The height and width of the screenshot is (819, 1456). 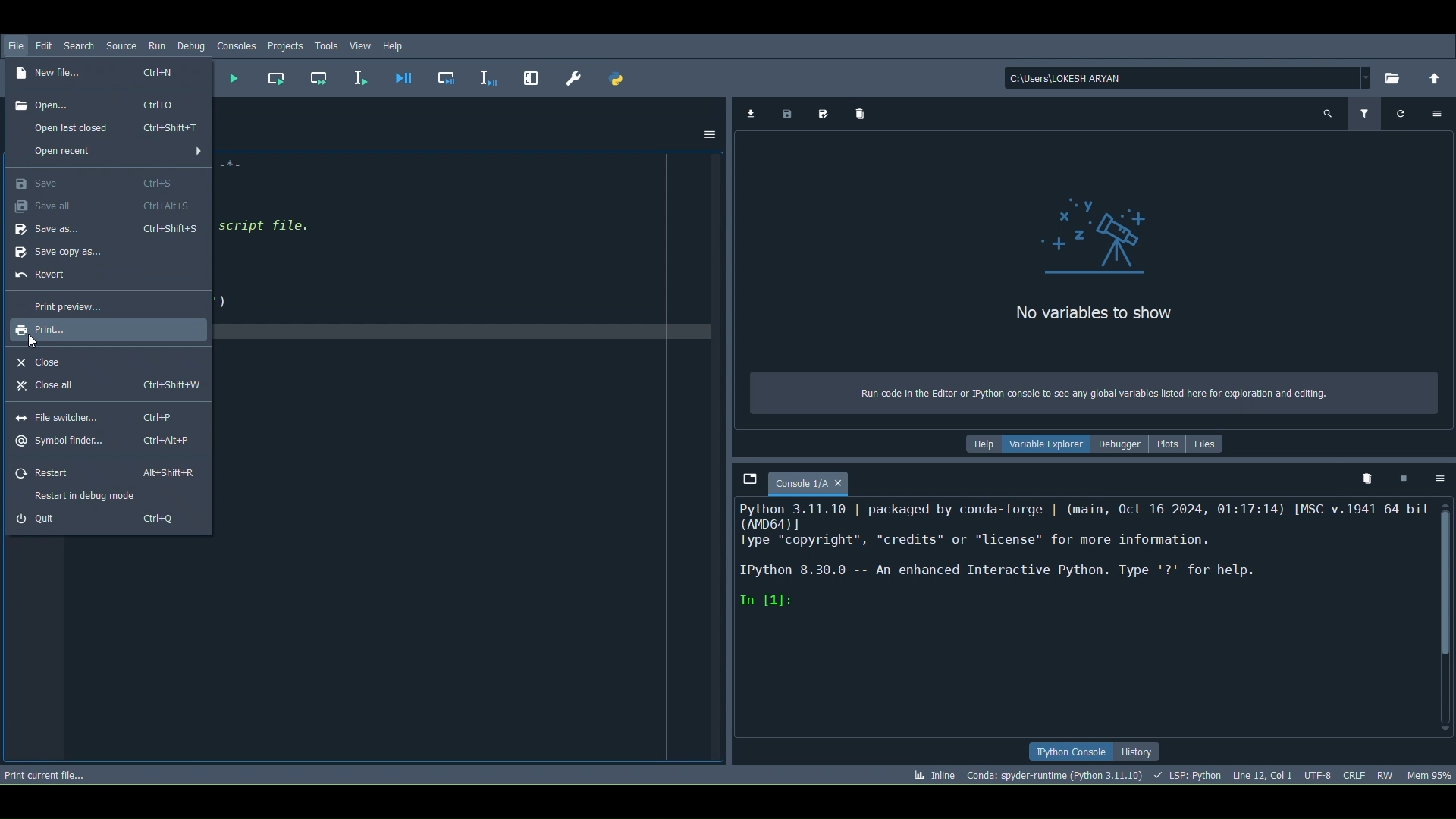 I want to click on New file, so click(x=102, y=75).